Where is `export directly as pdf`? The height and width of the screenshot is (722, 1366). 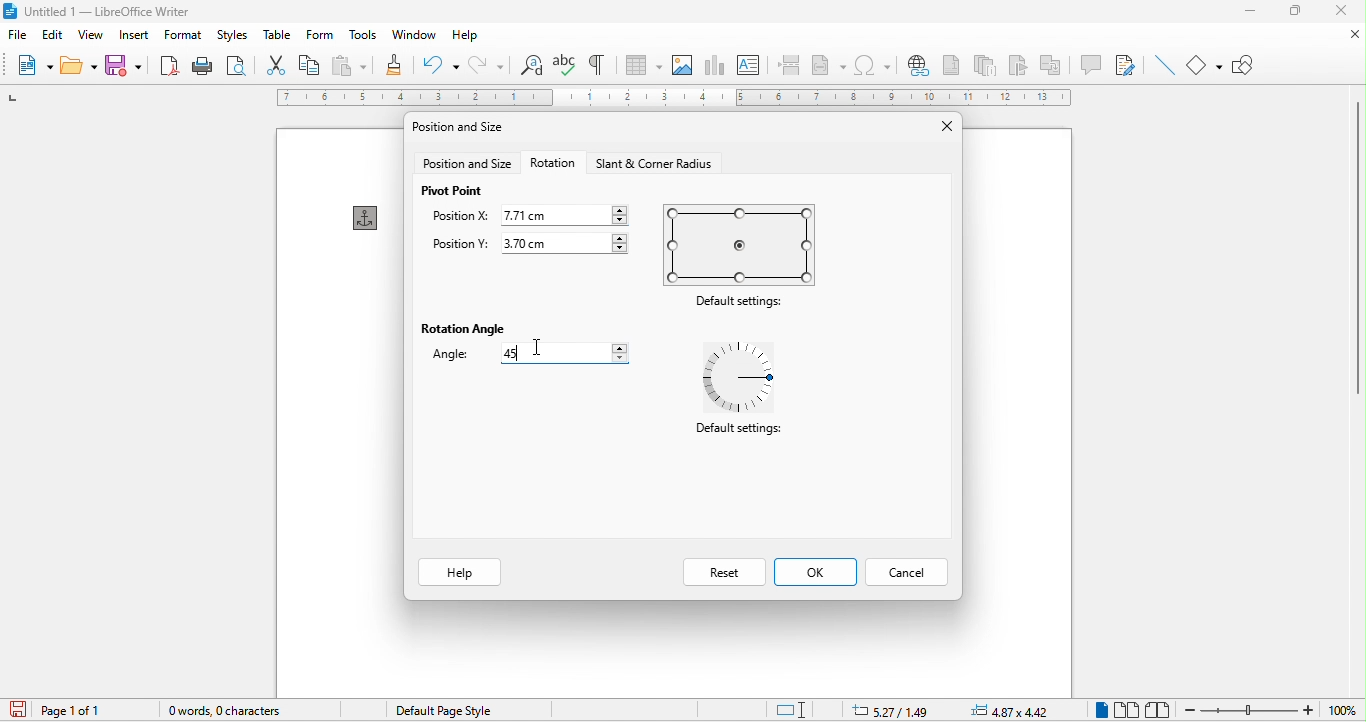 export directly as pdf is located at coordinates (169, 64).